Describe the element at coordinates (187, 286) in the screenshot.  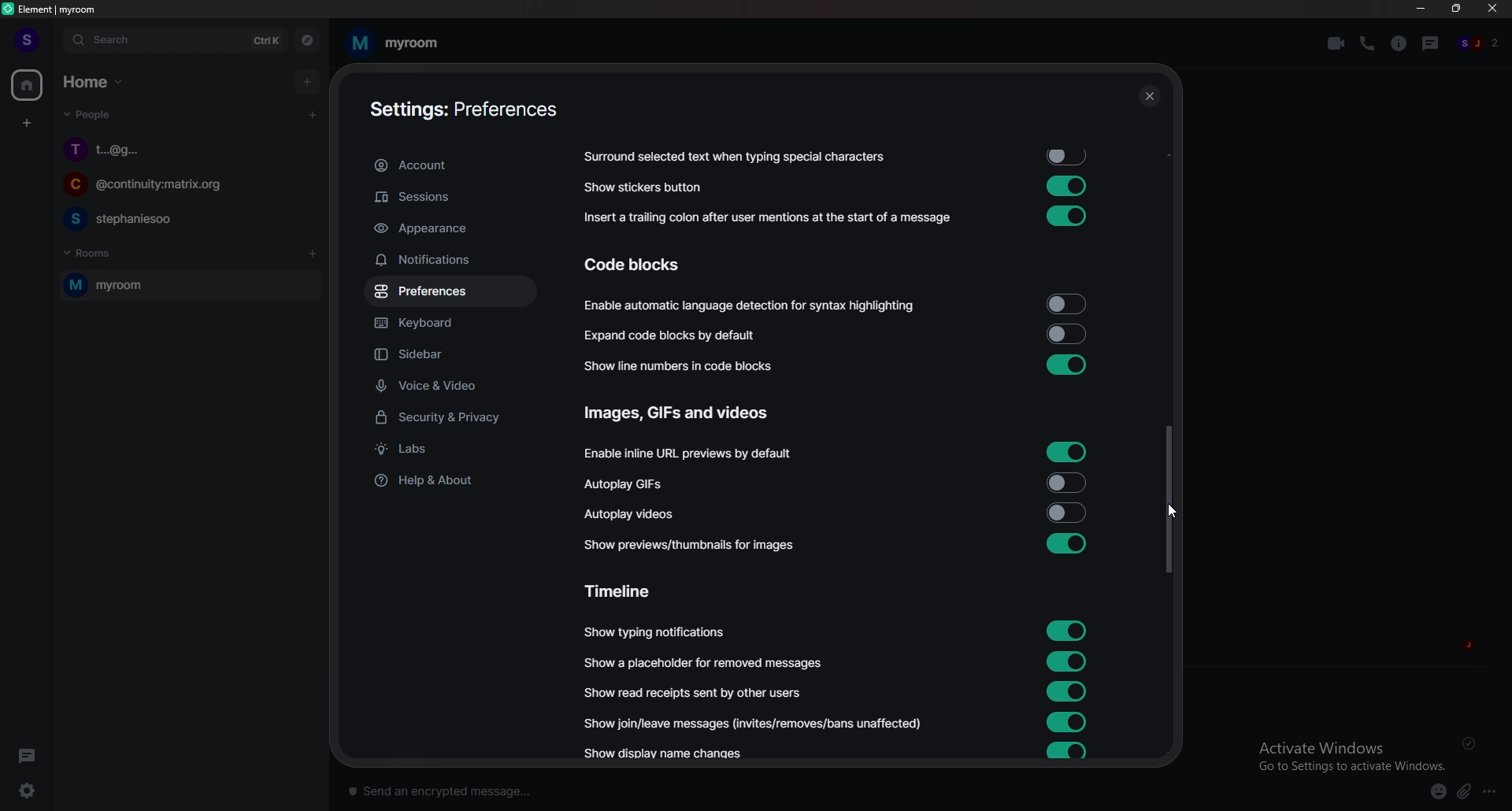
I see `room` at that location.